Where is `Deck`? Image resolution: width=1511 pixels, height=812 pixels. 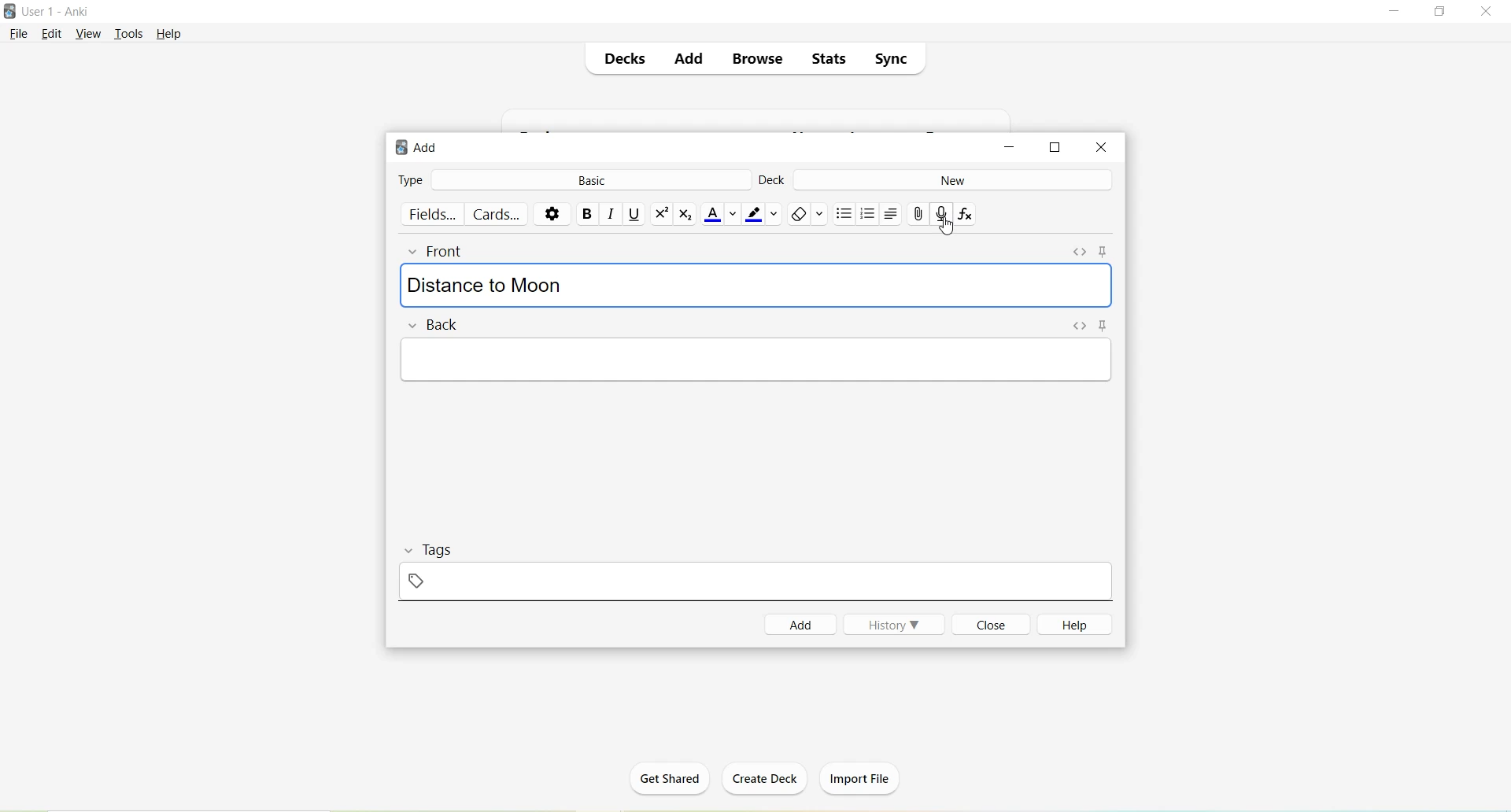 Deck is located at coordinates (773, 183).